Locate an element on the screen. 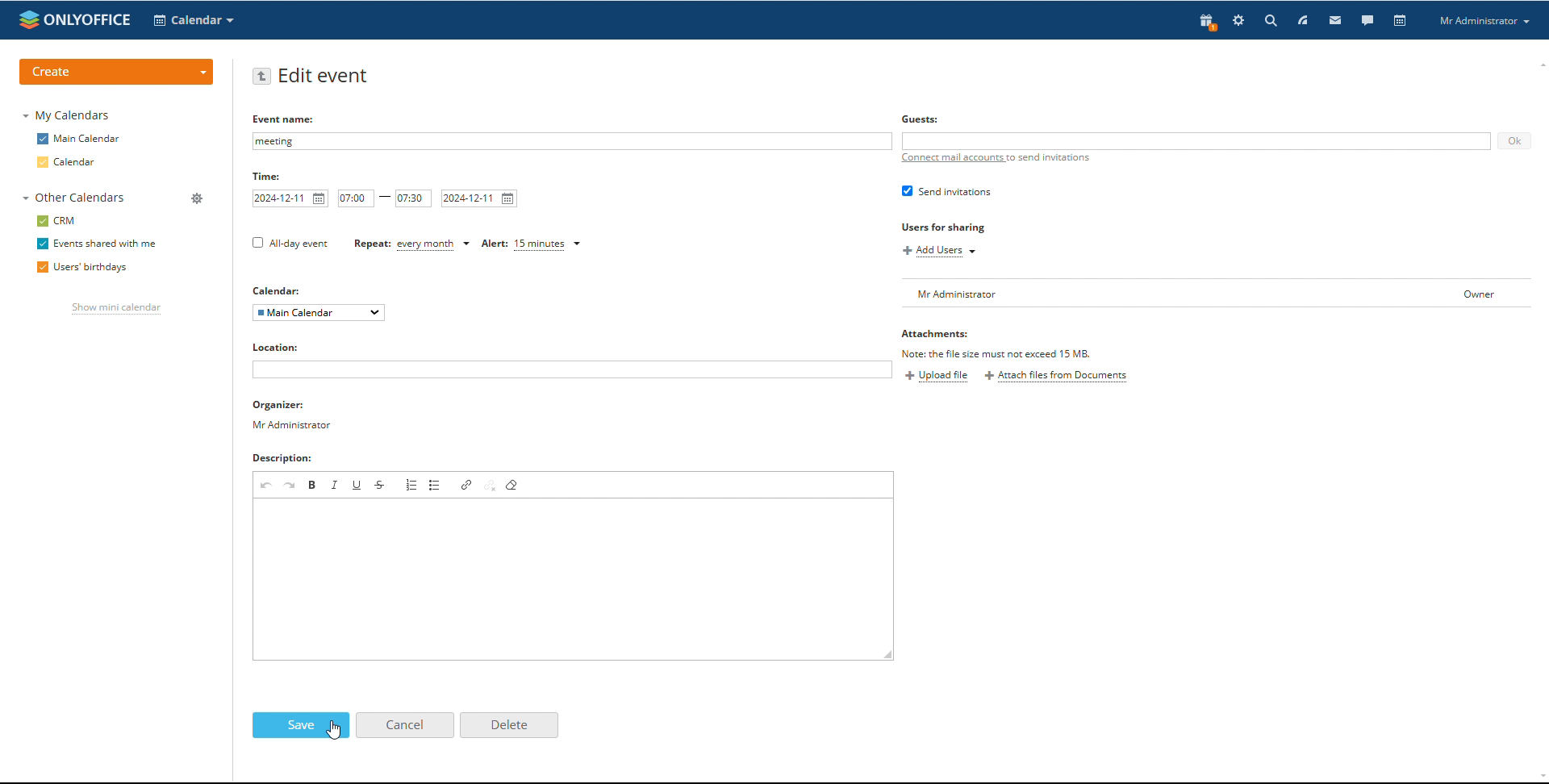  repetition set is located at coordinates (411, 245).